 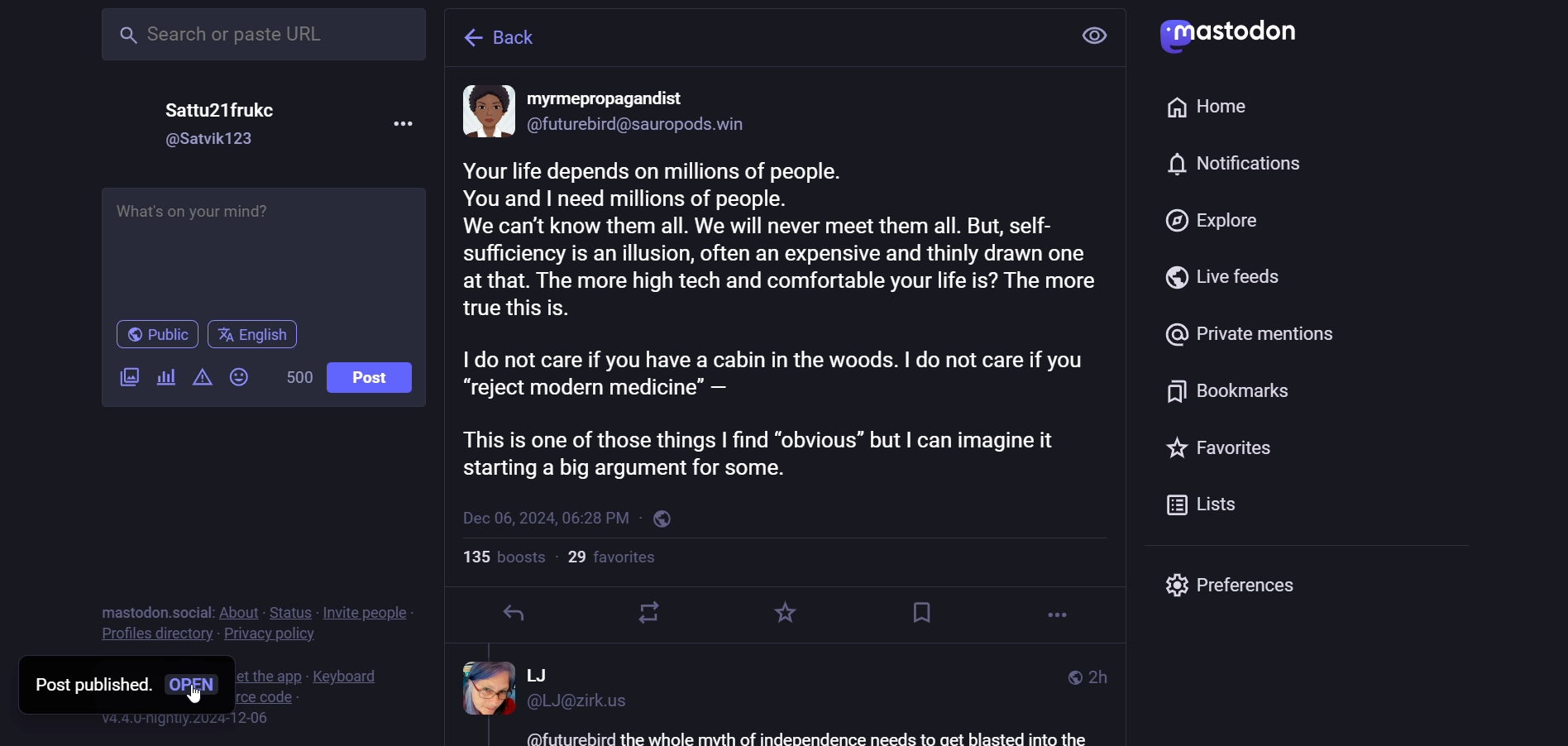 I want to click on post, so click(x=372, y=376).